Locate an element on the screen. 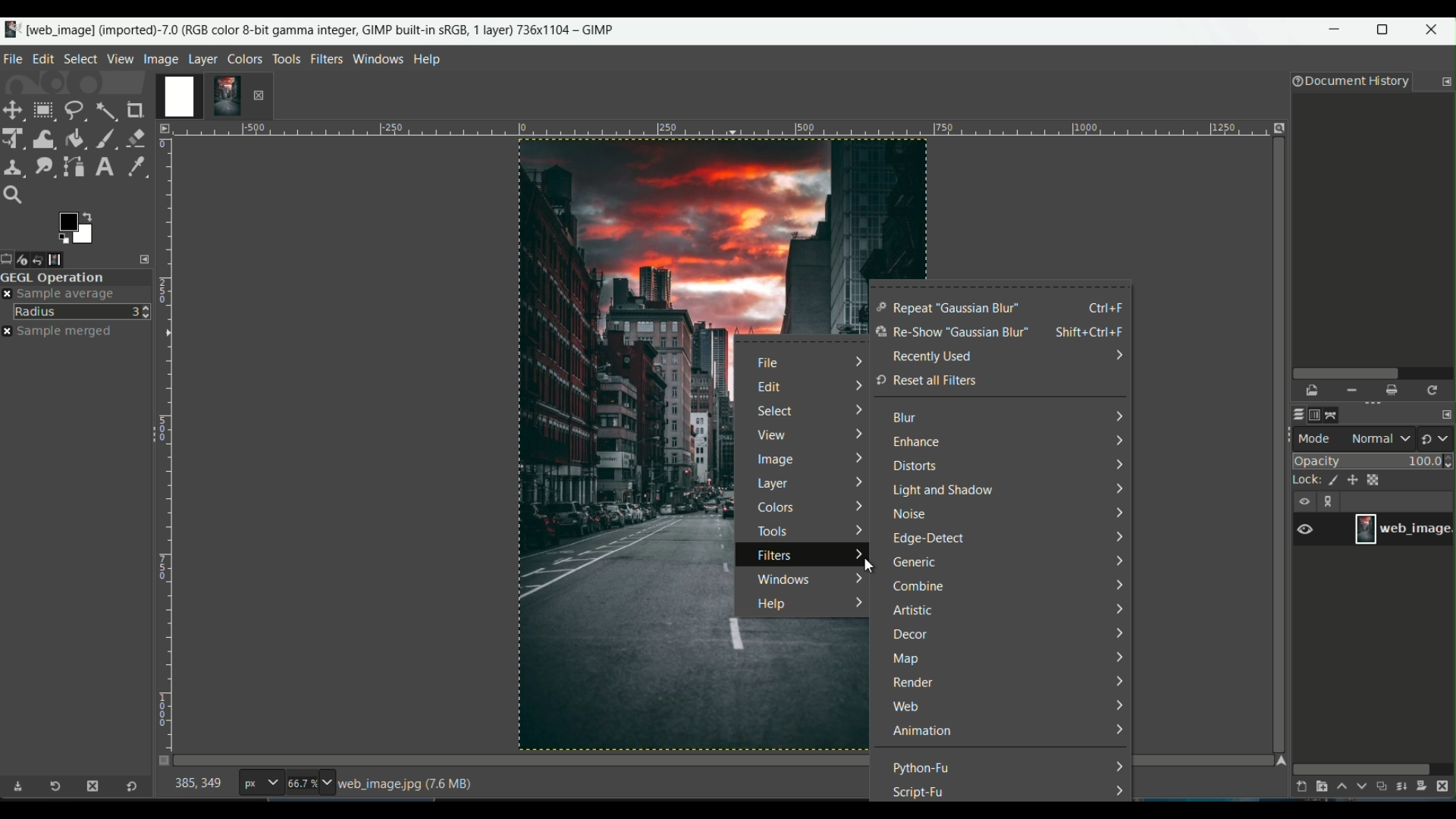 The height and width of the screenshot is (819, 1456). filter tab is located at coordinates (326, 58).